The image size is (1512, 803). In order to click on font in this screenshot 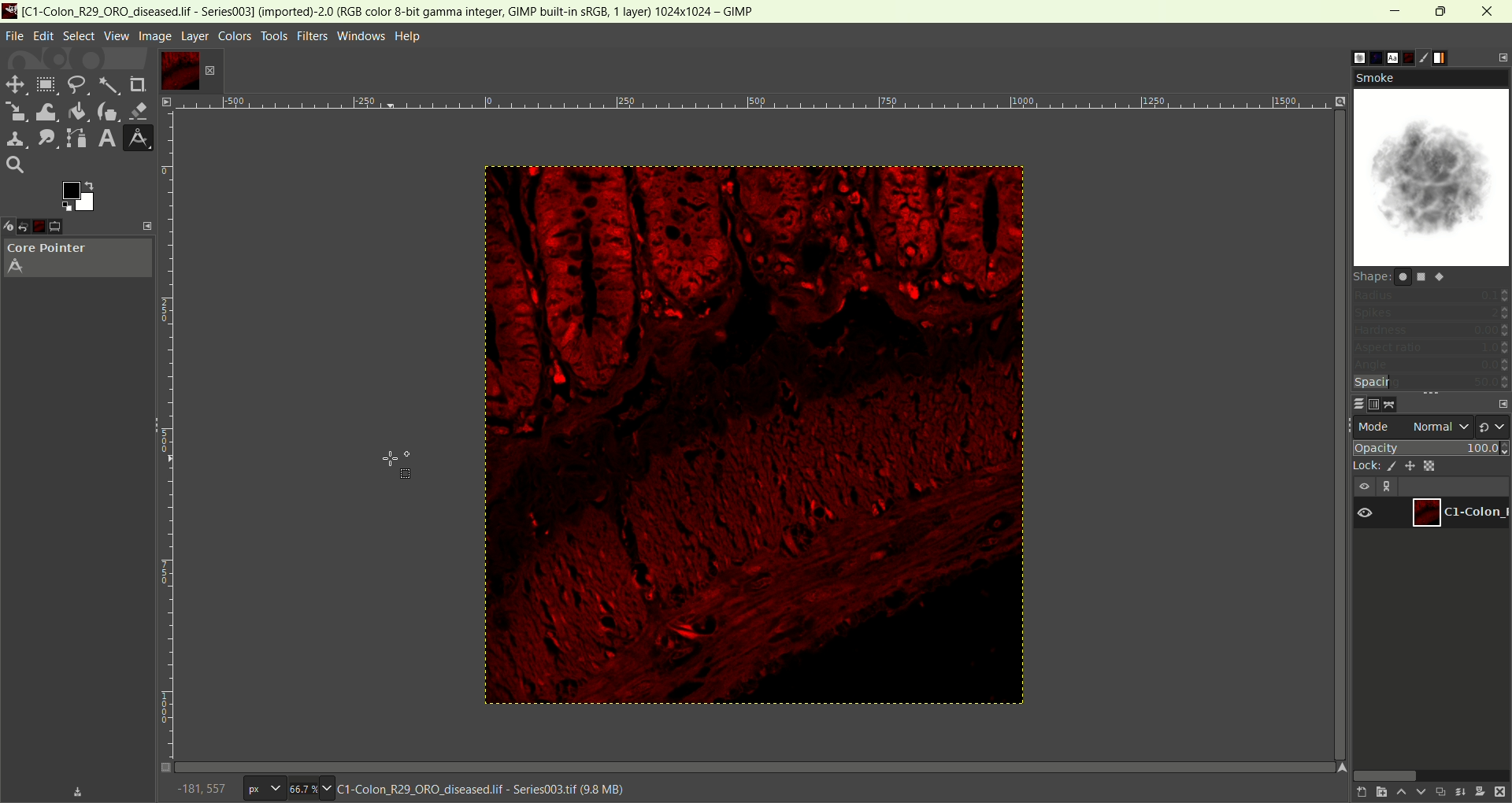, I will do `click(1385, 57)`.